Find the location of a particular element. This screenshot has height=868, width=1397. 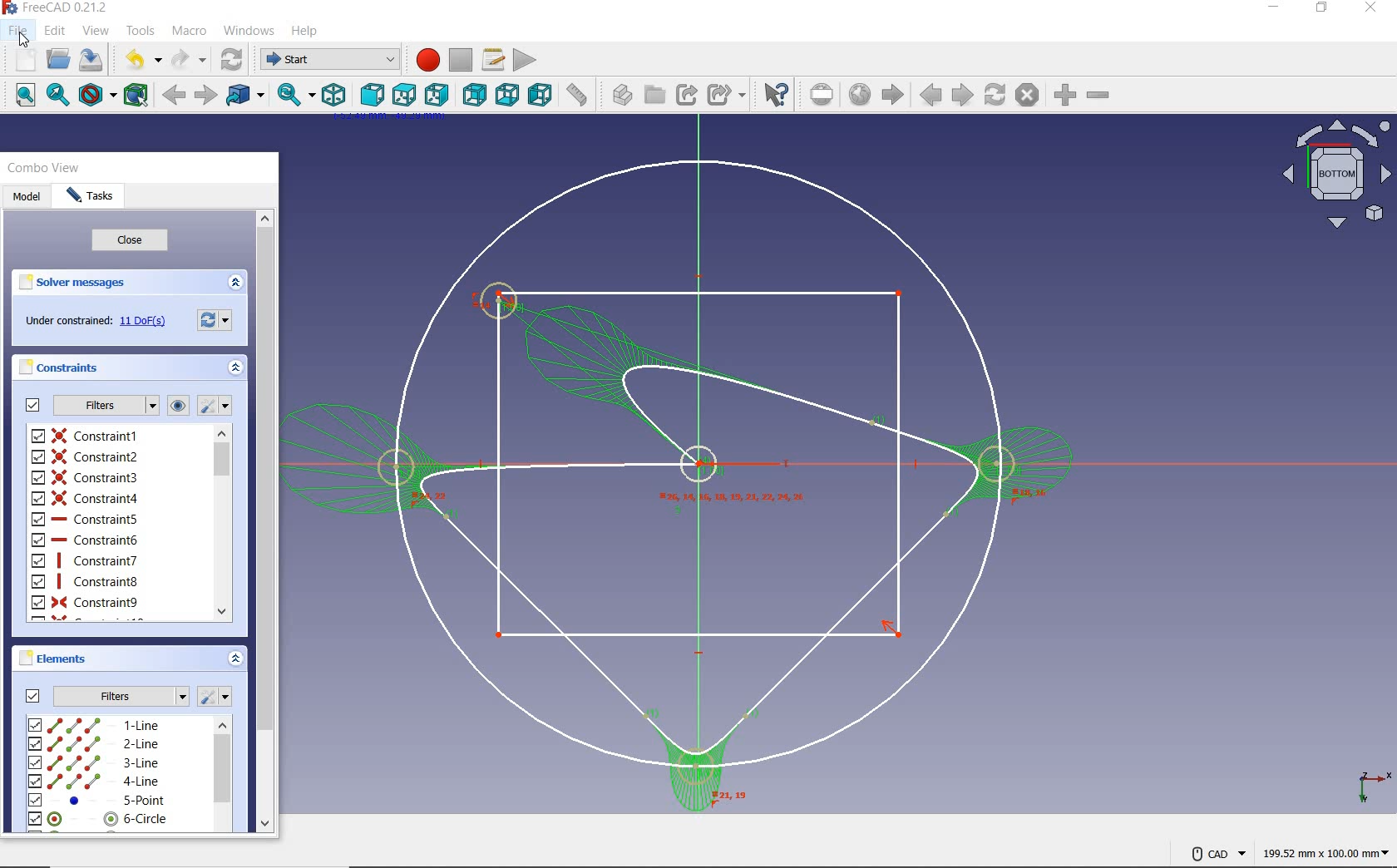

constraint4 is located at coordinates (86, 498).